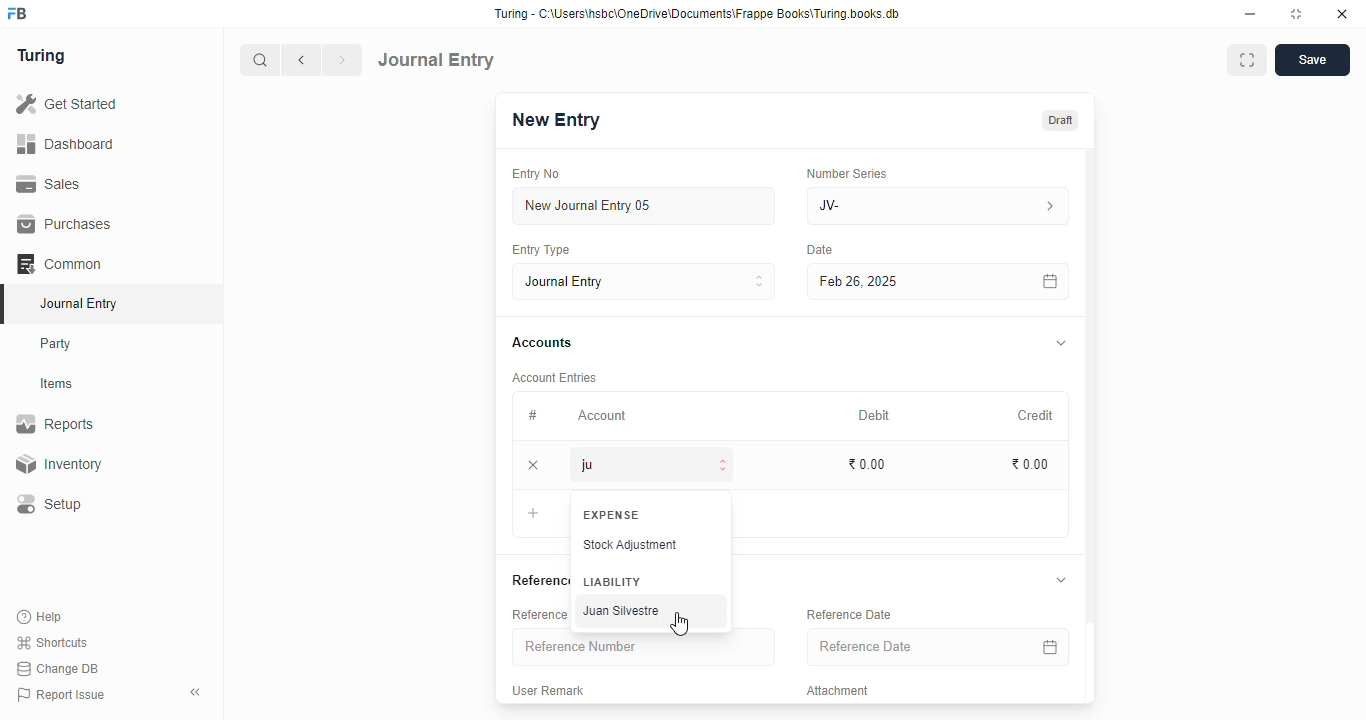  Describe the element at coordinates (303, 60) in the screenshot. I see `previous` at that location.